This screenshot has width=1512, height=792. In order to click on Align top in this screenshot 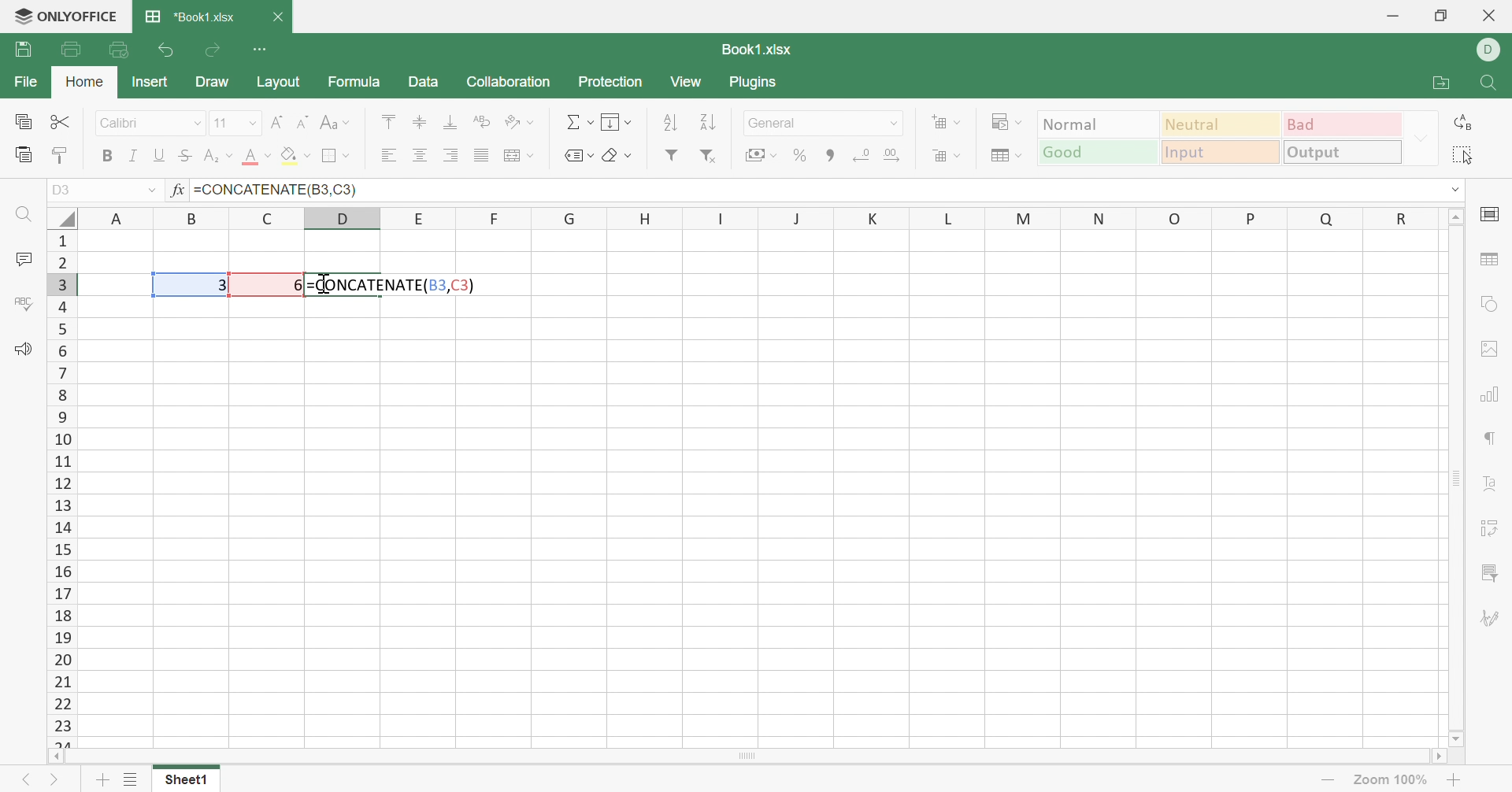, I will do `click(421, 123)`.